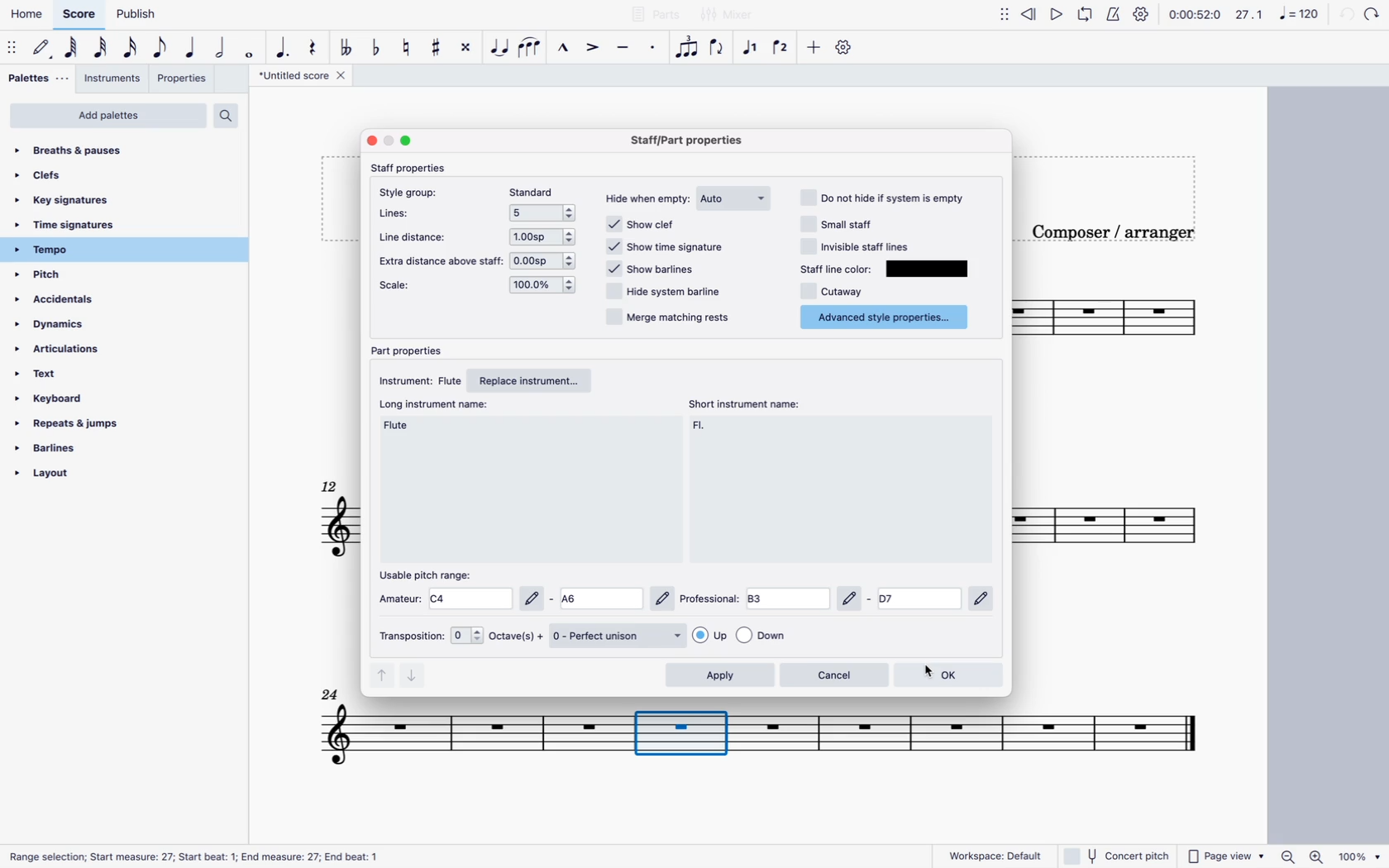 The height and width of the screenshot is (868, 1389). What do you see at coordinates (408, 48) in the screenshot?
I see `toggle natural` at bounding box center [408, 48].